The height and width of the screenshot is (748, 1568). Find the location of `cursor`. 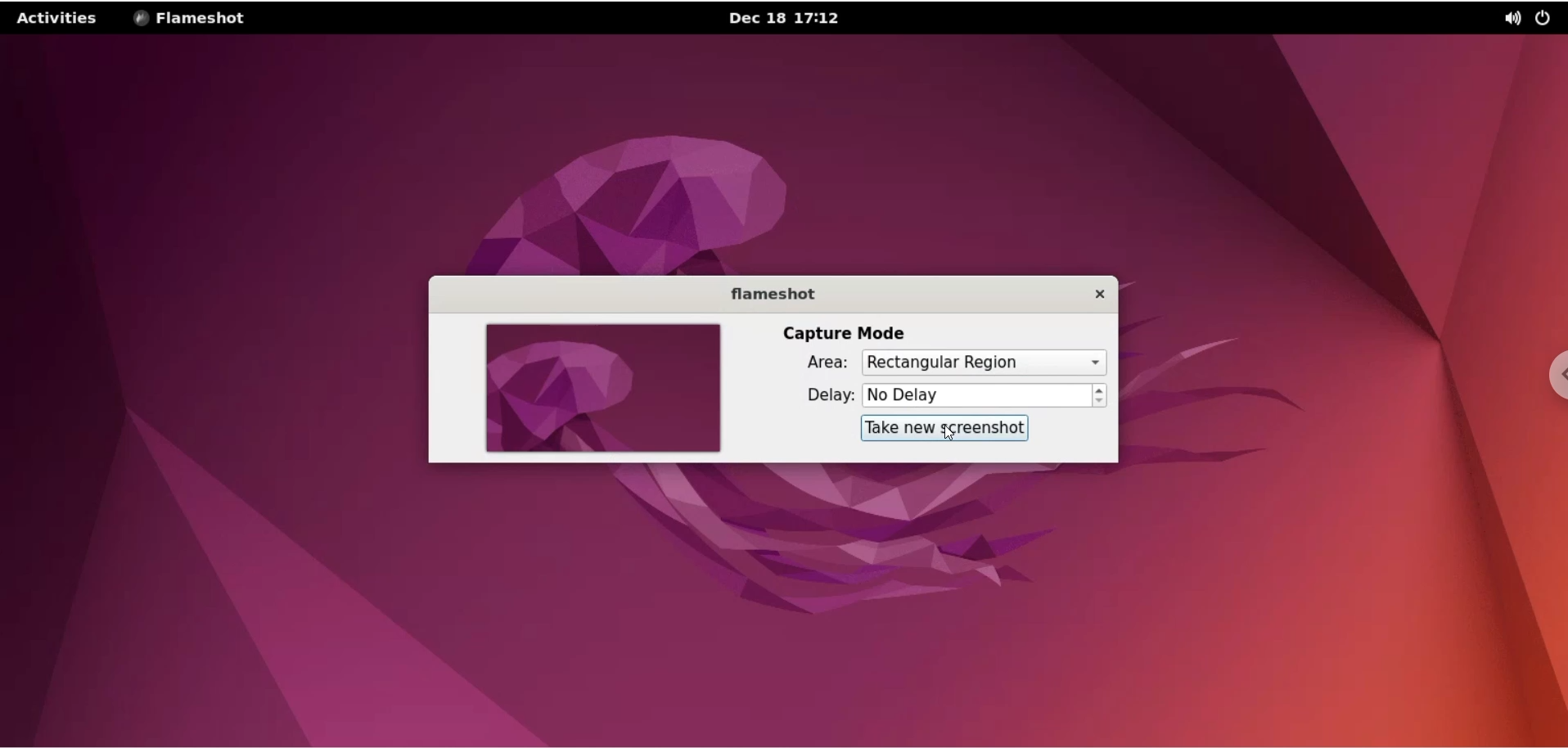

cursor is located at coordinates (953, 434).